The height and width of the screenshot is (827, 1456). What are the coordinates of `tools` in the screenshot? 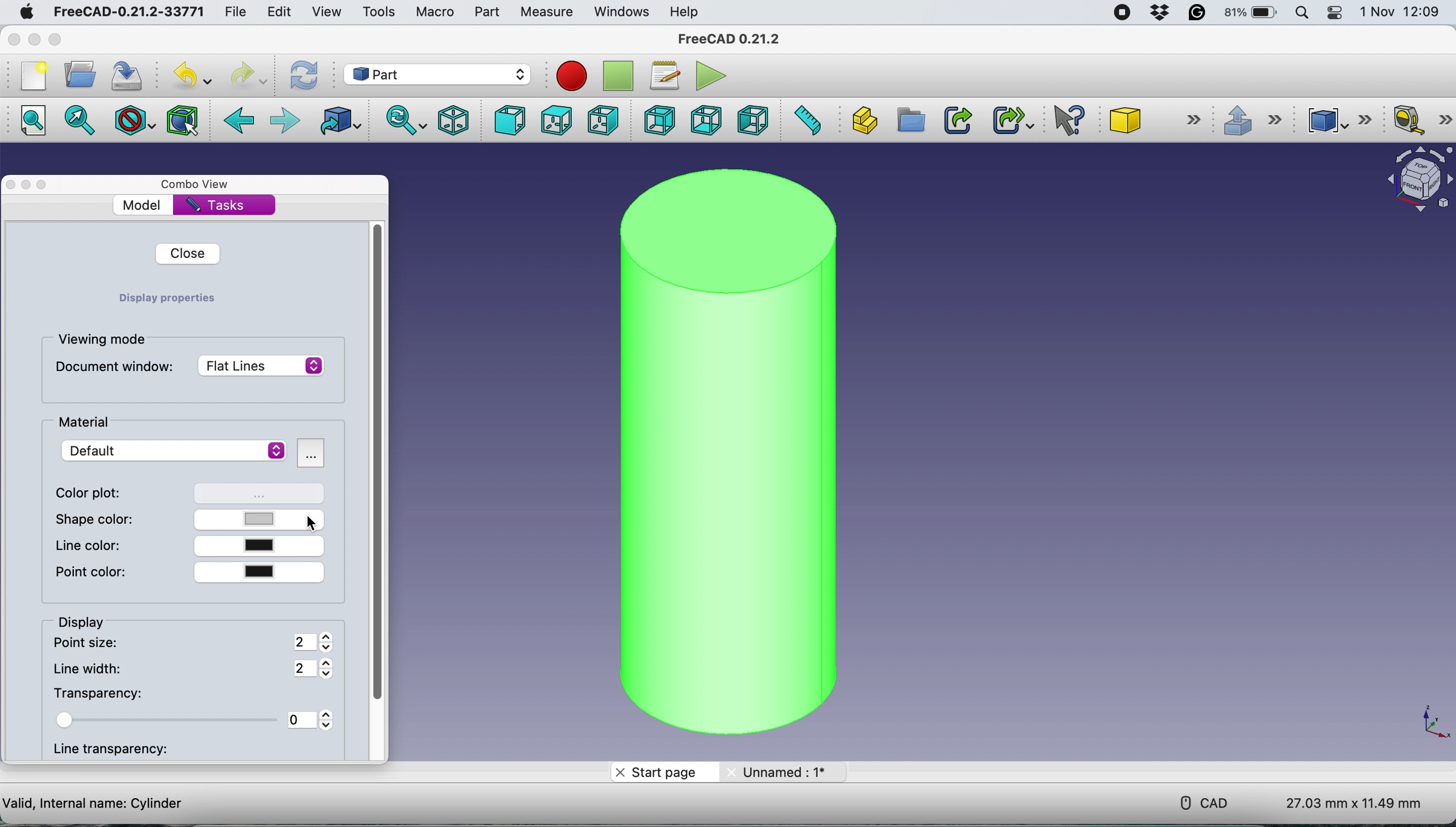 It's located at (382, 12).